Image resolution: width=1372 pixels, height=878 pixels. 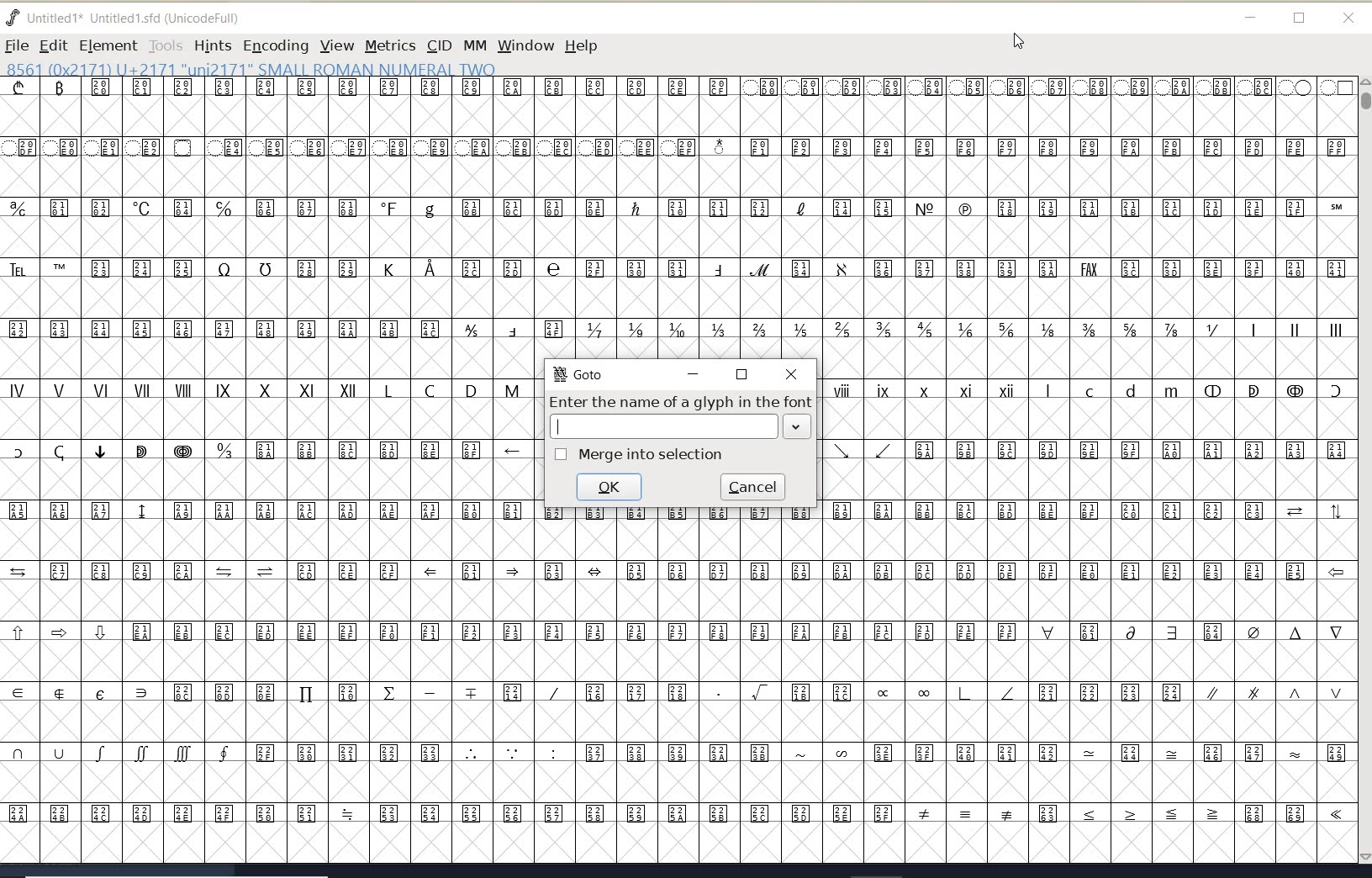 What do you see at coordinates (1017, 42) in the screenshot?
I see `CURSOR` at bounding box center [1017, 42].